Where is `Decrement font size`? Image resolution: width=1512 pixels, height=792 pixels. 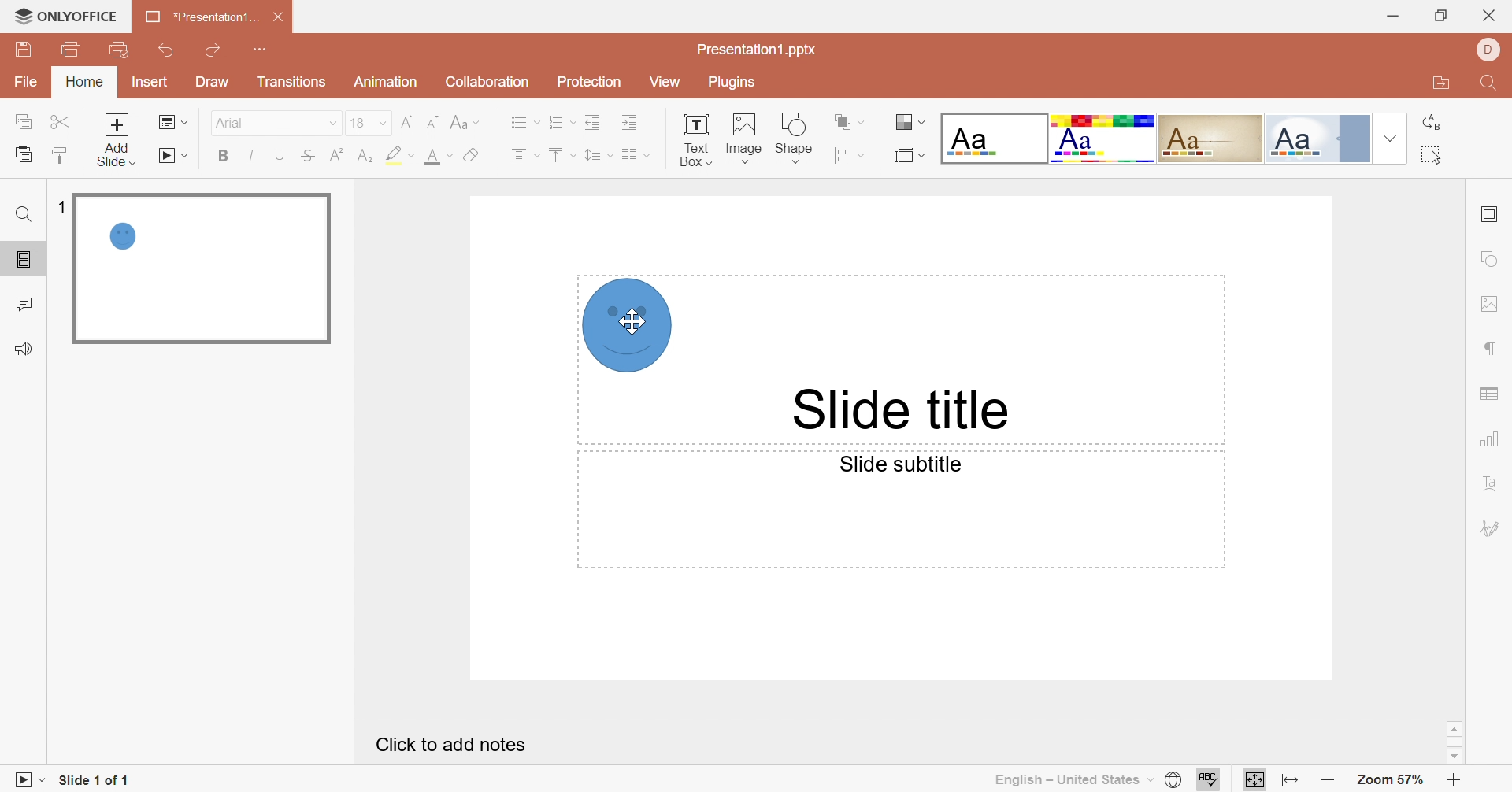
Decrement font size is located at coordinates (431, 118).